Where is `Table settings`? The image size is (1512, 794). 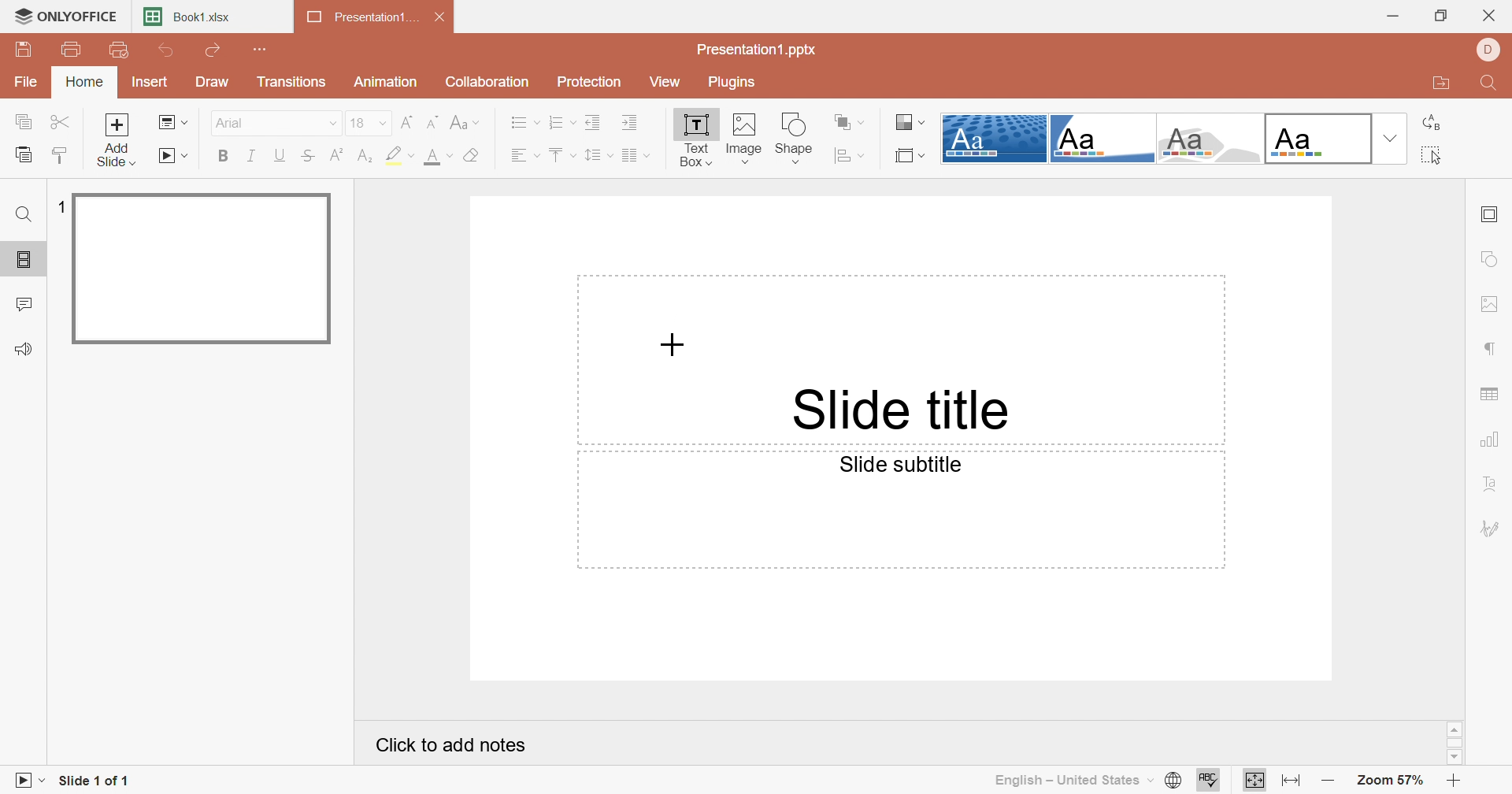
Table settings is located at coordinates (1492, 395).